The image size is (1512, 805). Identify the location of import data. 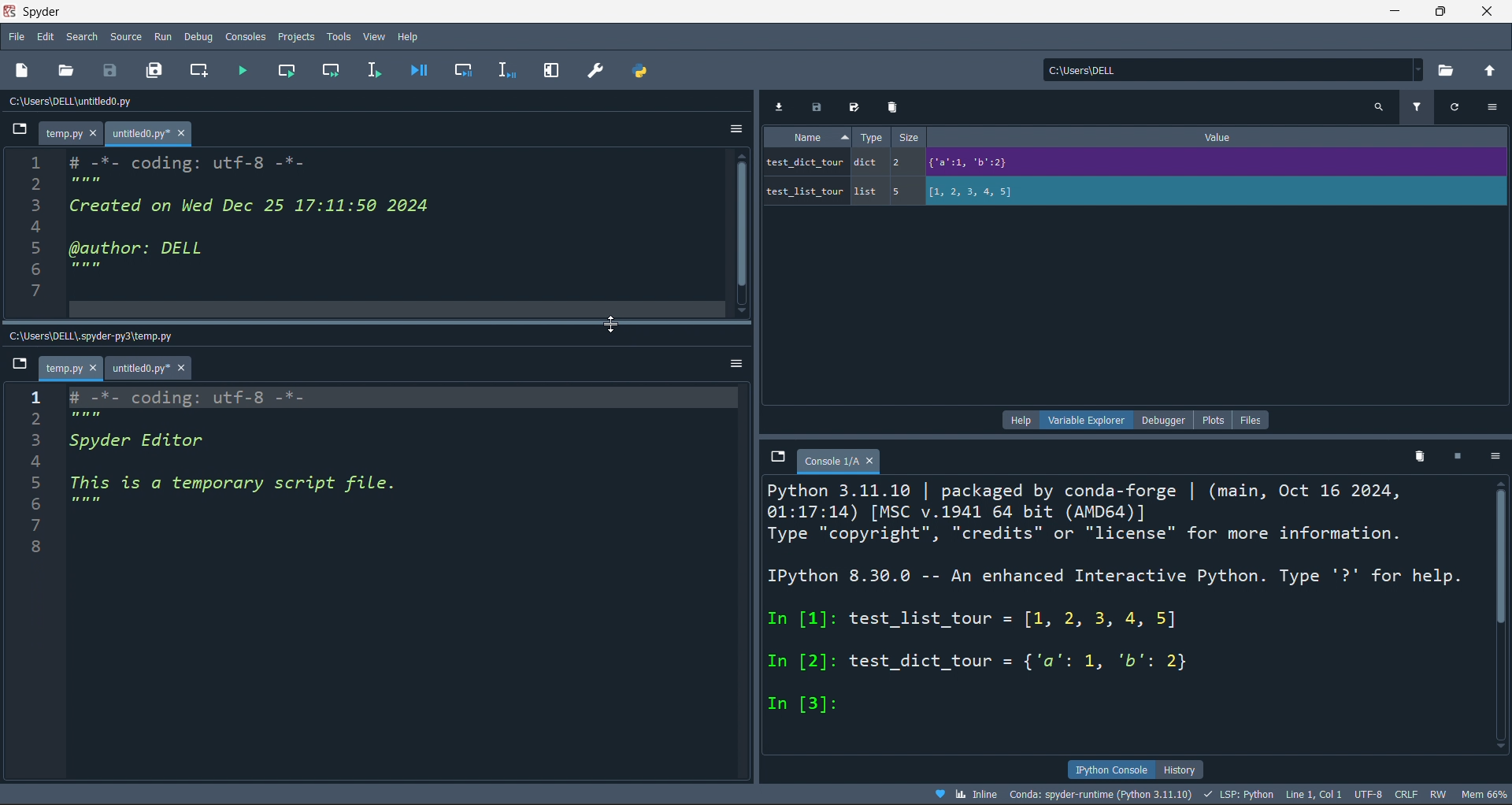
(781, 106).